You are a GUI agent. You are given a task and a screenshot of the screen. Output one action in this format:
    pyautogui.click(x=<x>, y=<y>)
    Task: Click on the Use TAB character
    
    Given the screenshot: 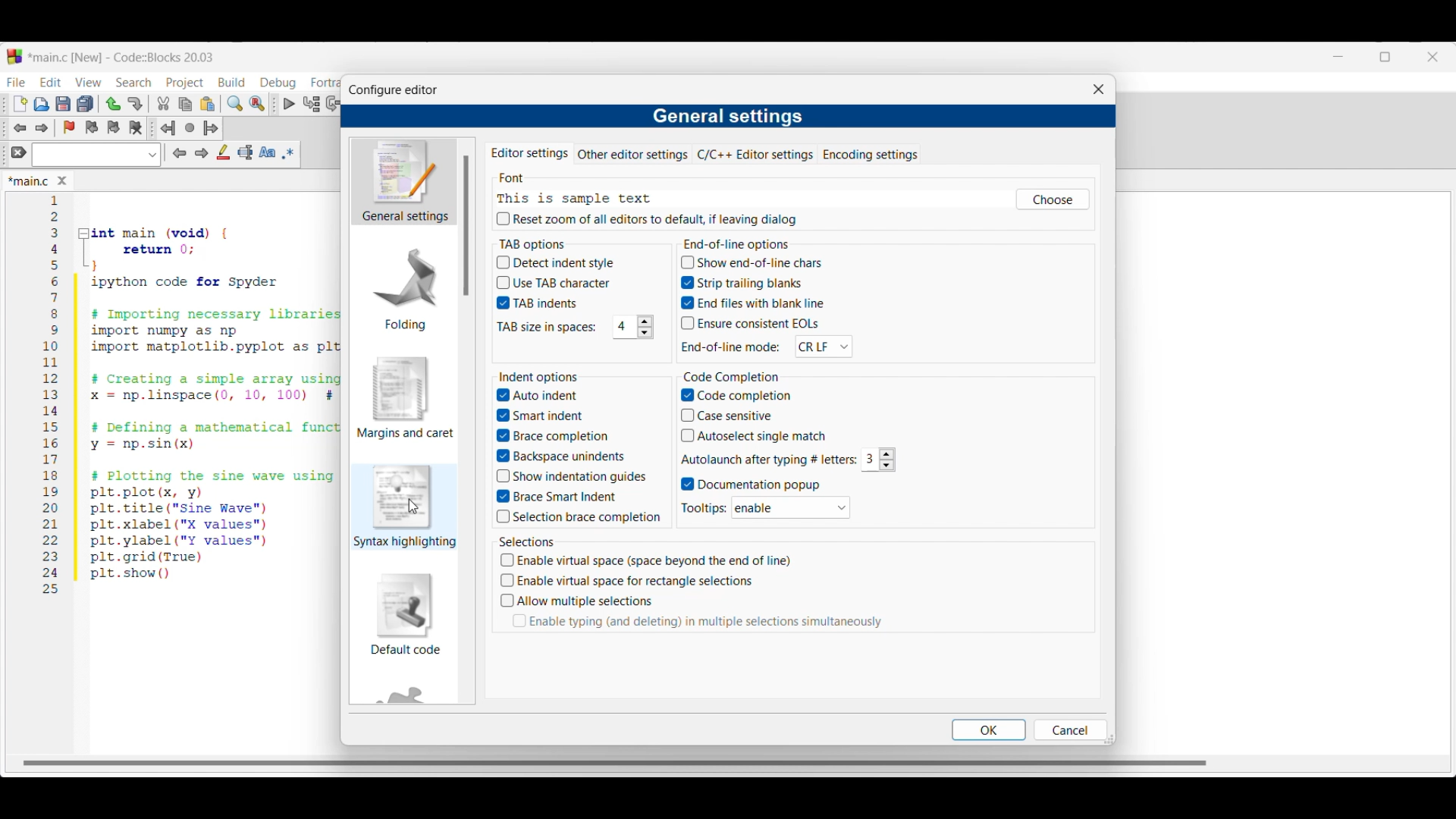 What is the action you would take?
    pyautogui.click(x=557, y=283)
    